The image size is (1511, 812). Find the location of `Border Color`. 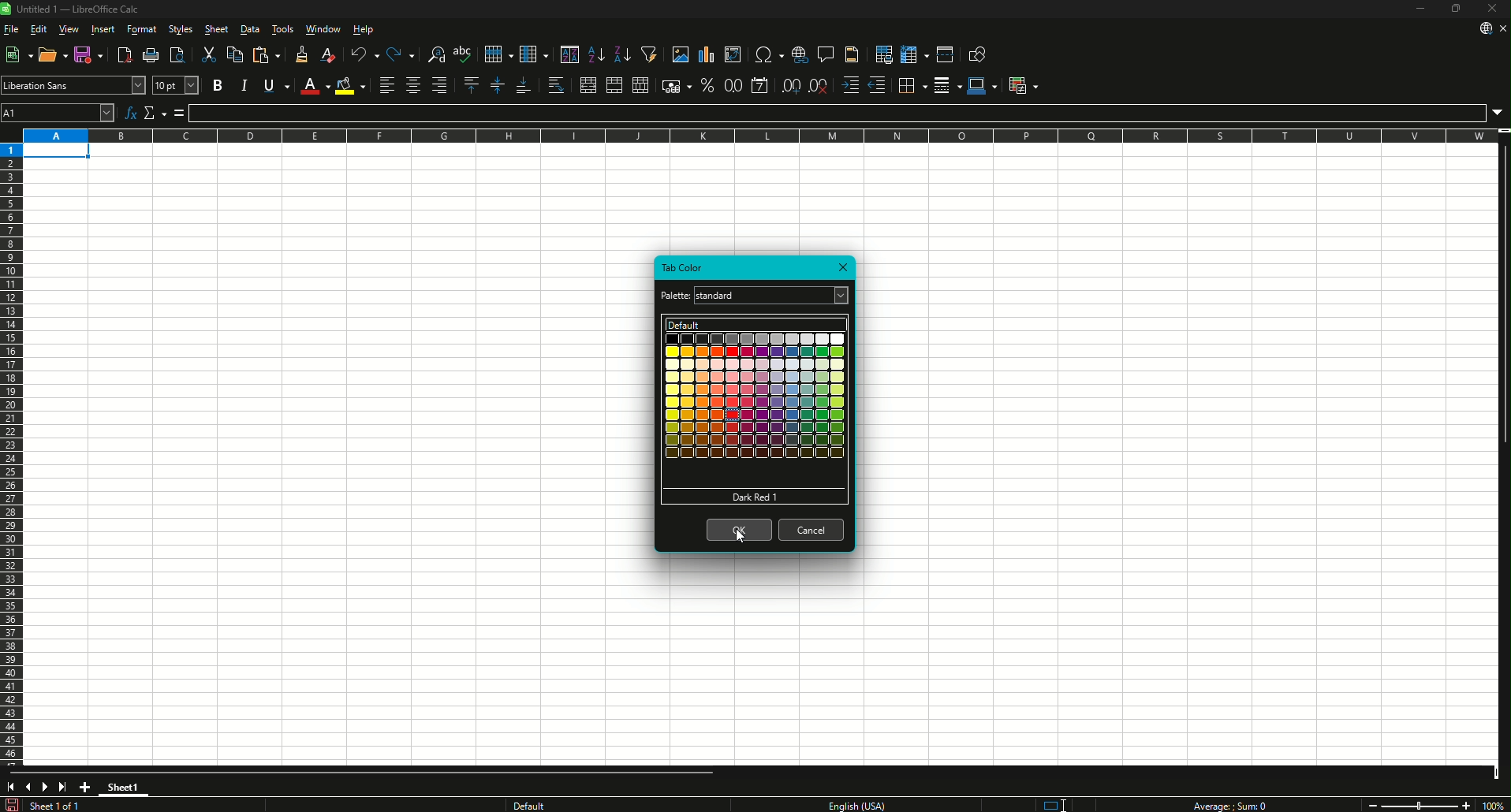

Border Color is located at coordinates (983, 86).